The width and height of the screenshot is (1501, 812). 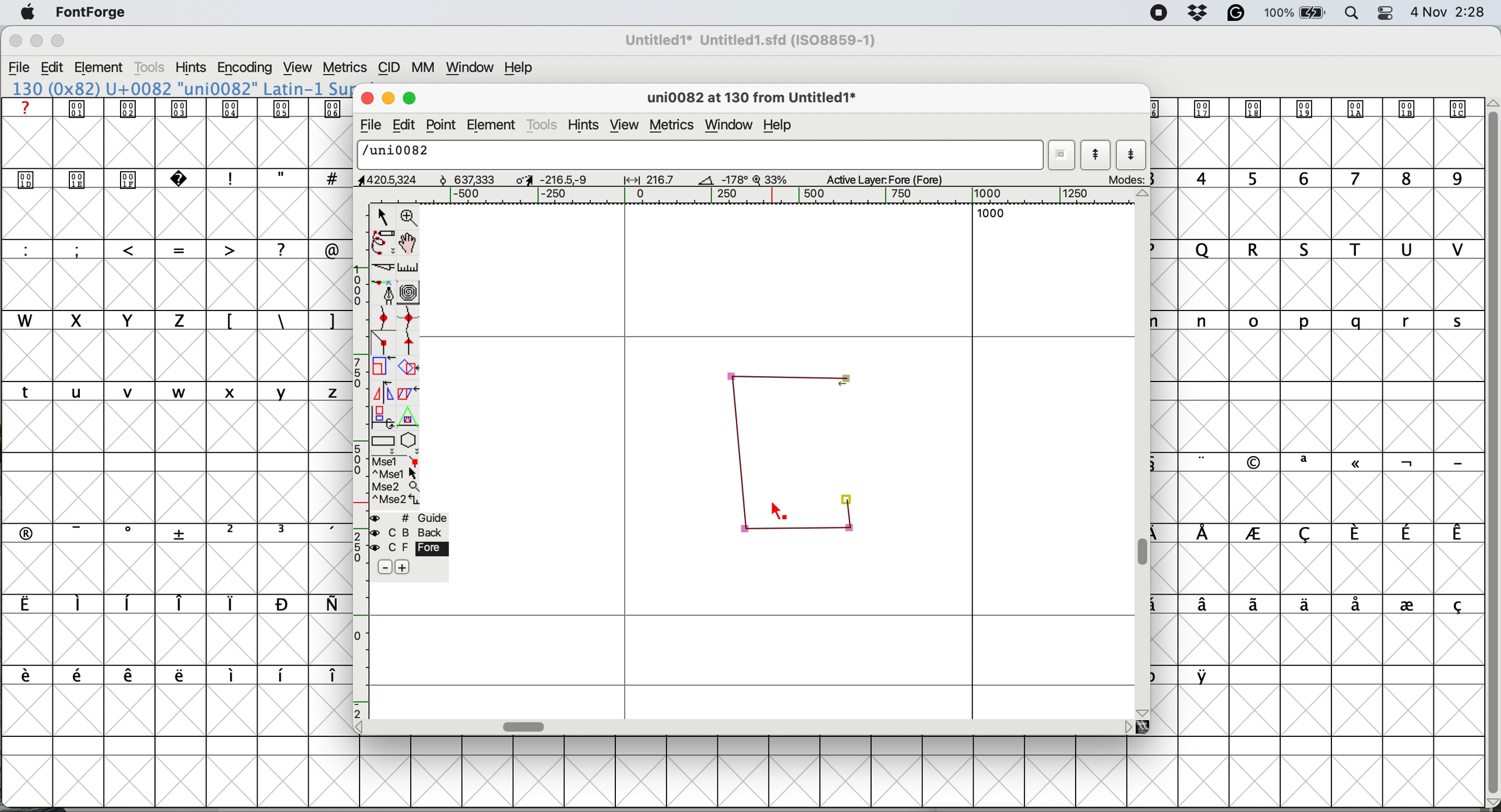 What do you see at coordinates (747, 40) in the screenshot?
I see `File name` at bounding box center [747, 40].